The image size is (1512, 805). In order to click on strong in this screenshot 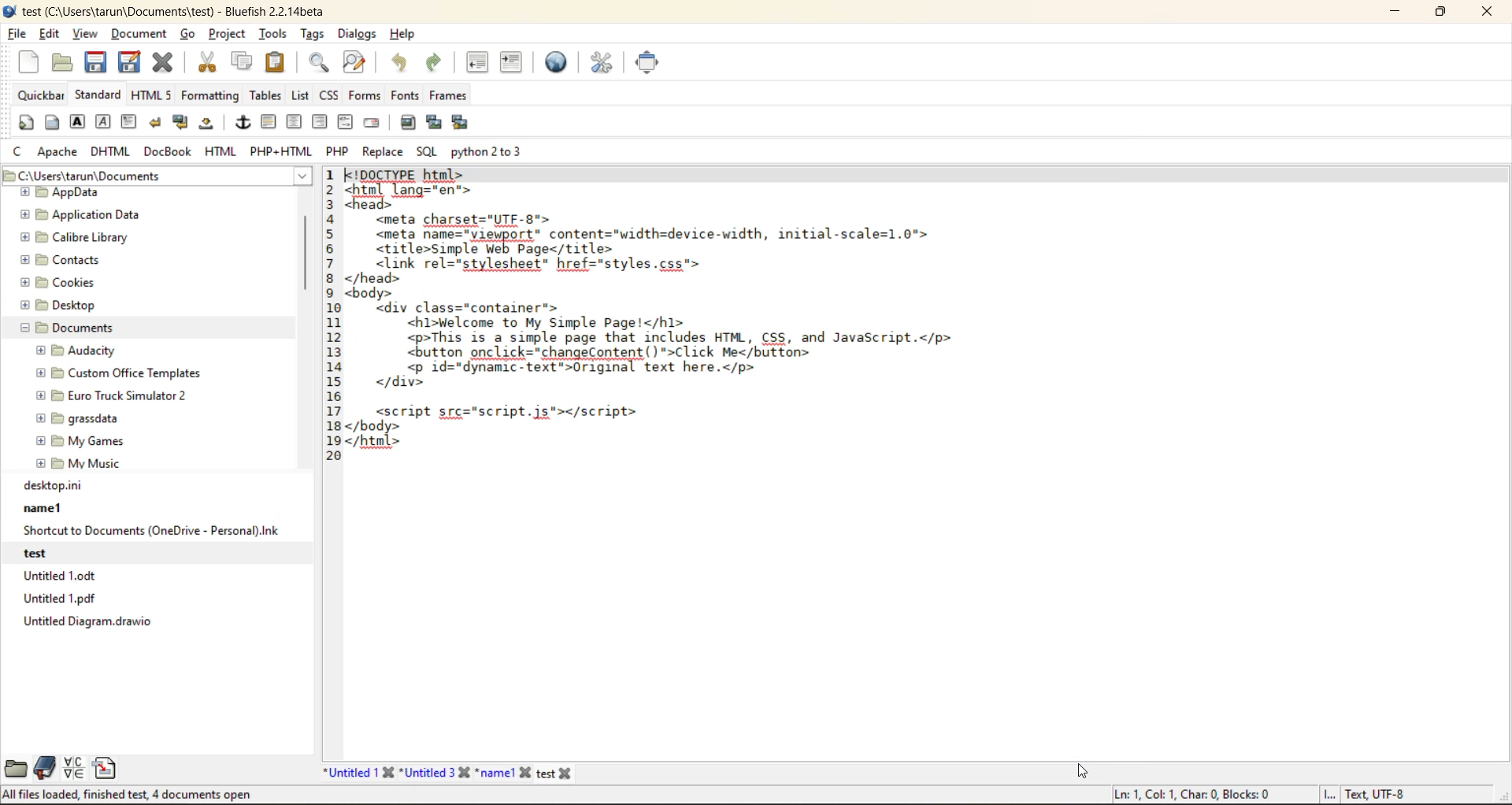, I will do `click(78, 124)`.